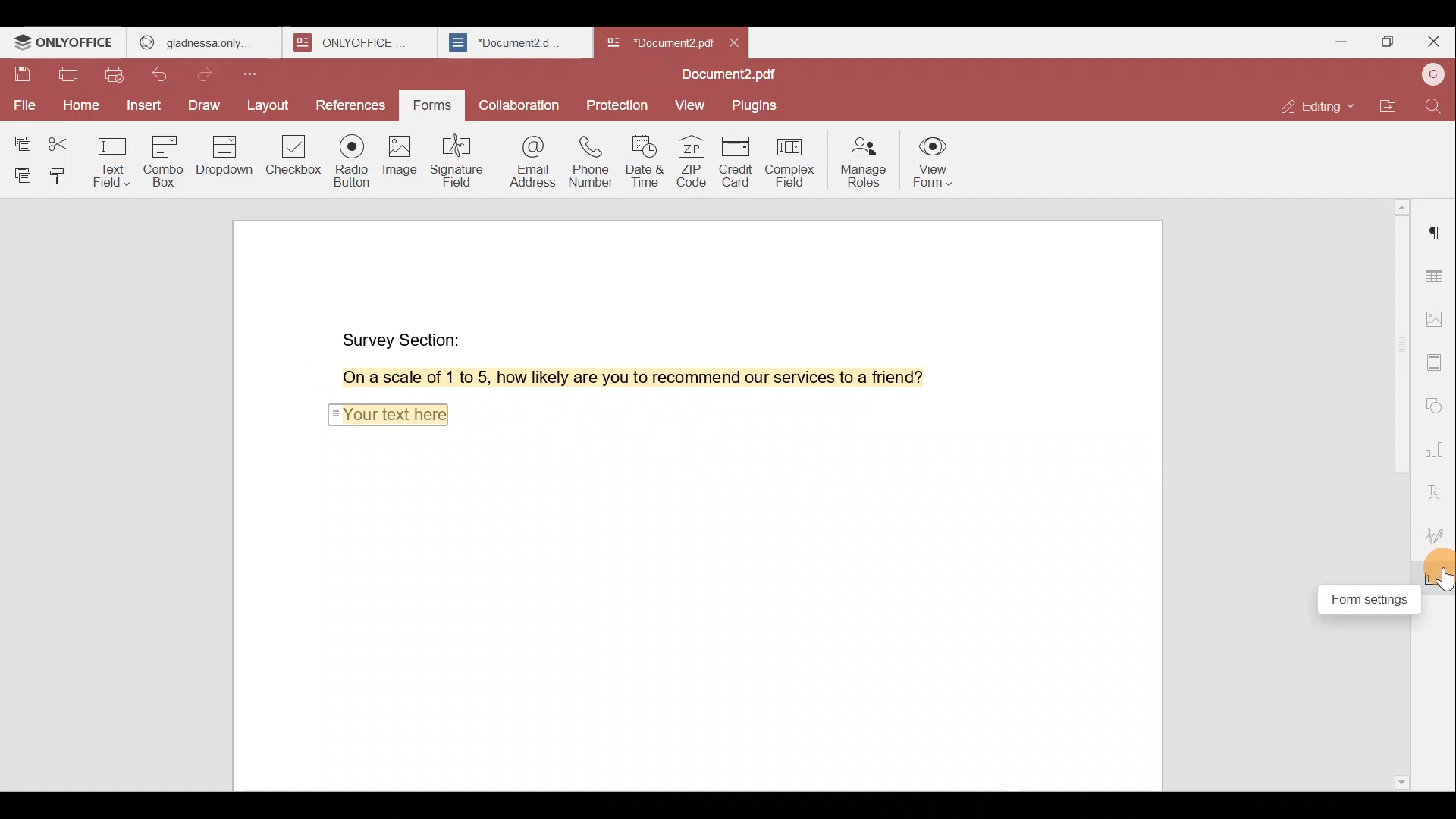 The height and width of the screenshot is (819, 1456). What do you see at coordinates (1426, 570) in the screenshot?
I see `Cursor` at bounding box center [1426, 570].